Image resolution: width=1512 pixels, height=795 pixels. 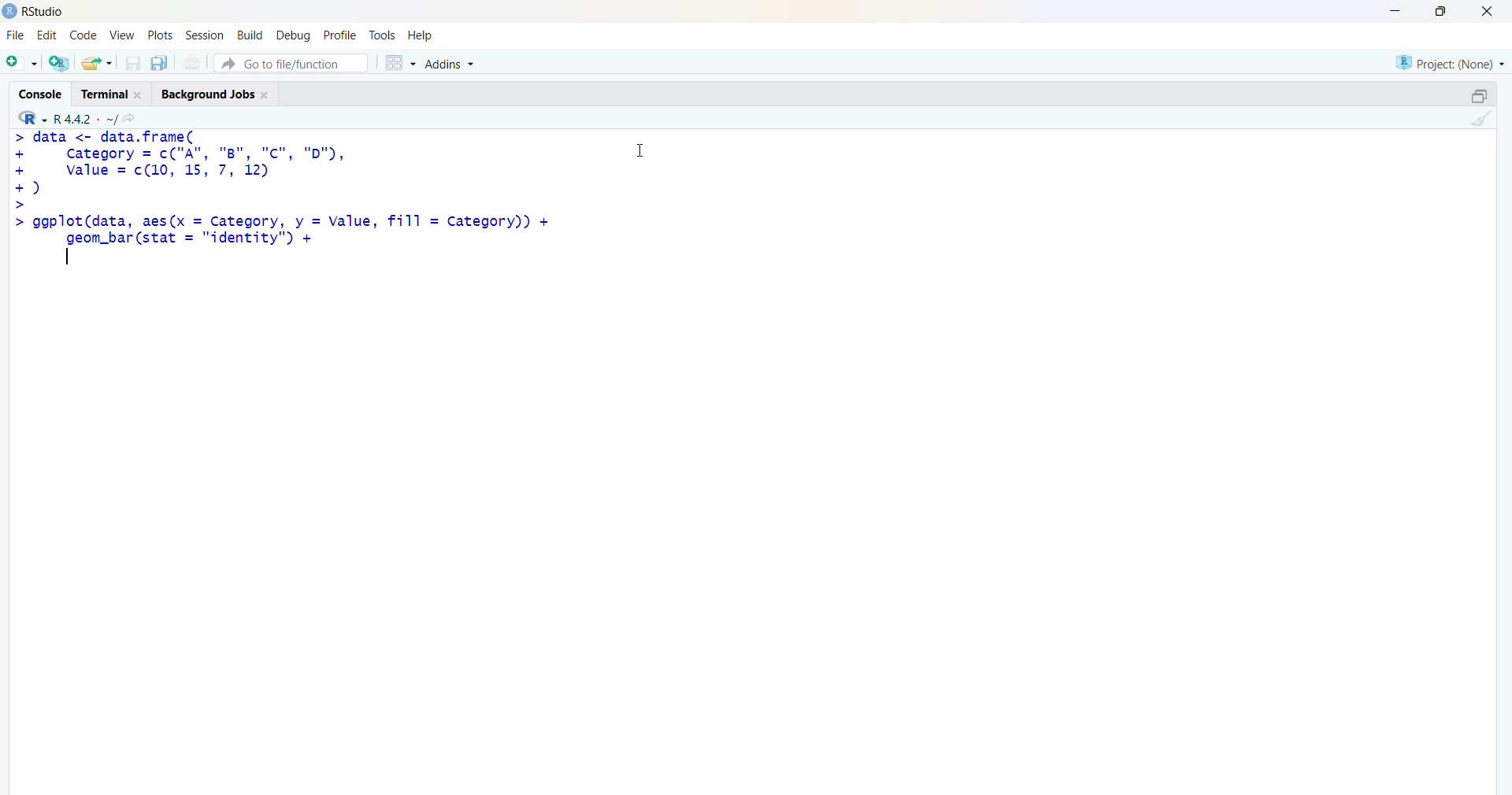 What do you see at coordinates (641, 148) in the screenshot?
I see `Cursor` at bounding box center [641, 148].